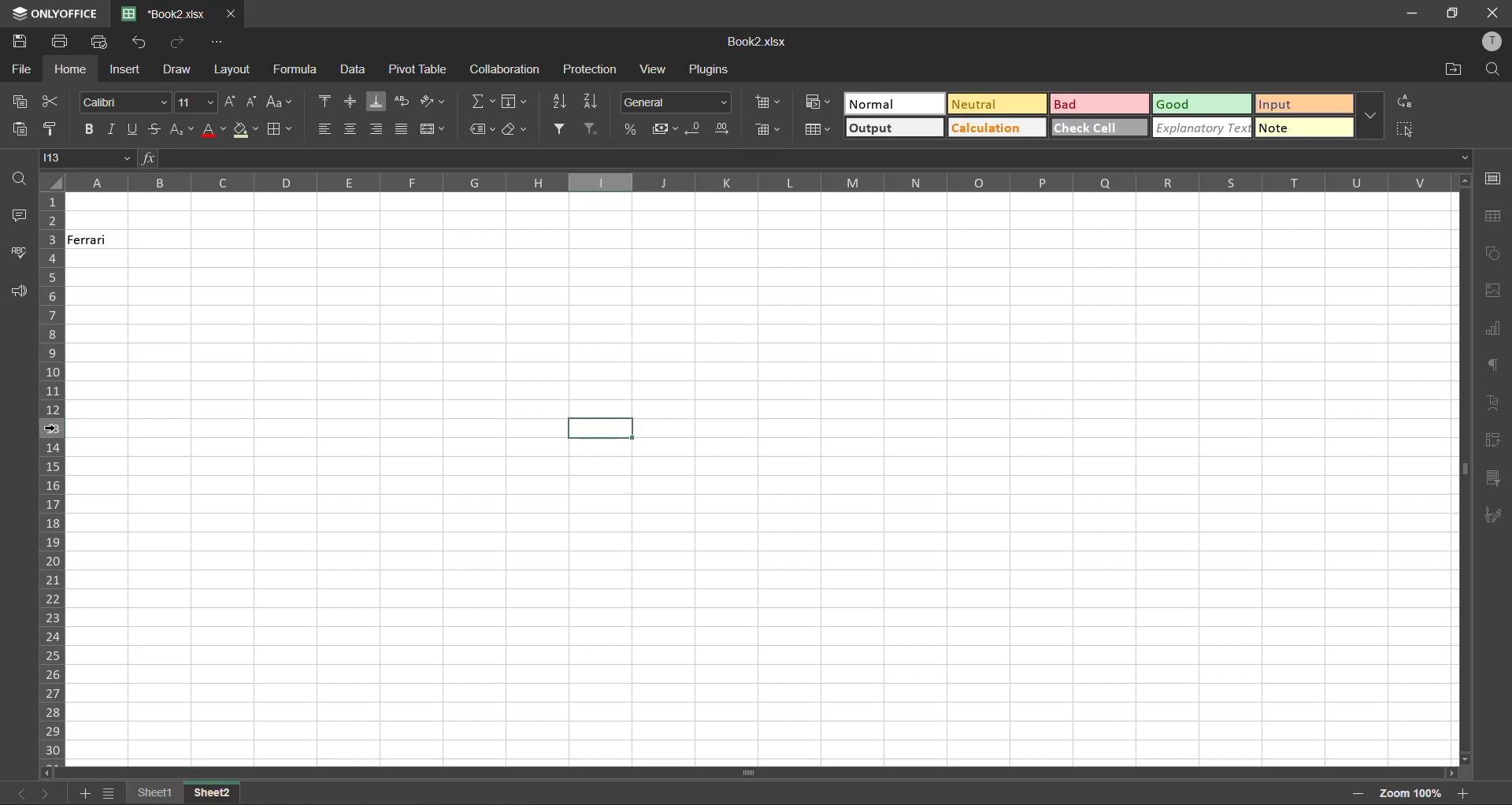 The height and width of the screenshot is (805, 1512). What do you see at coordinates (88, 130) in the screenshot?
I see `bold` at bounding box center [88, 130].